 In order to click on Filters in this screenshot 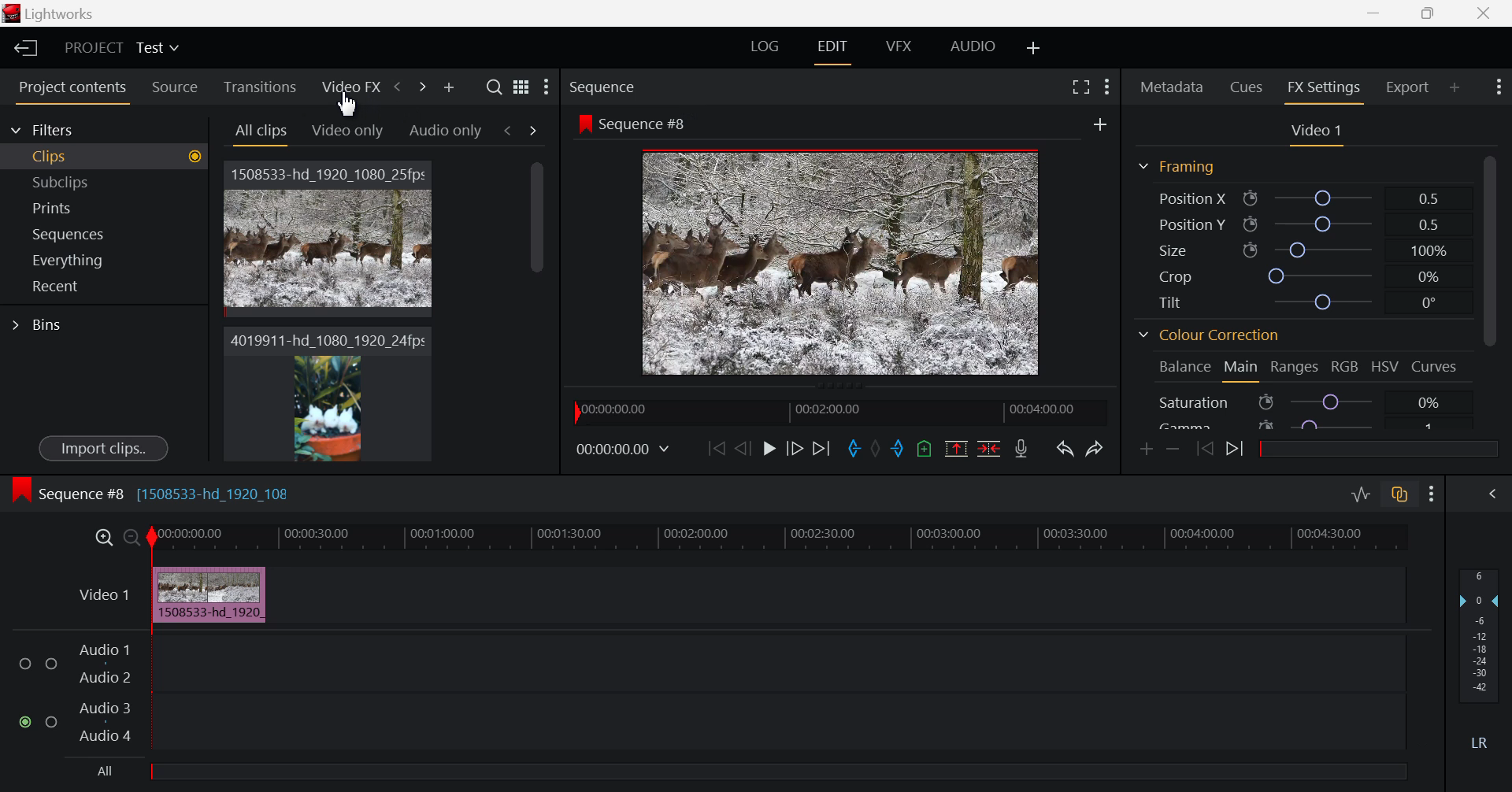, I will do `click(57, 130)`.